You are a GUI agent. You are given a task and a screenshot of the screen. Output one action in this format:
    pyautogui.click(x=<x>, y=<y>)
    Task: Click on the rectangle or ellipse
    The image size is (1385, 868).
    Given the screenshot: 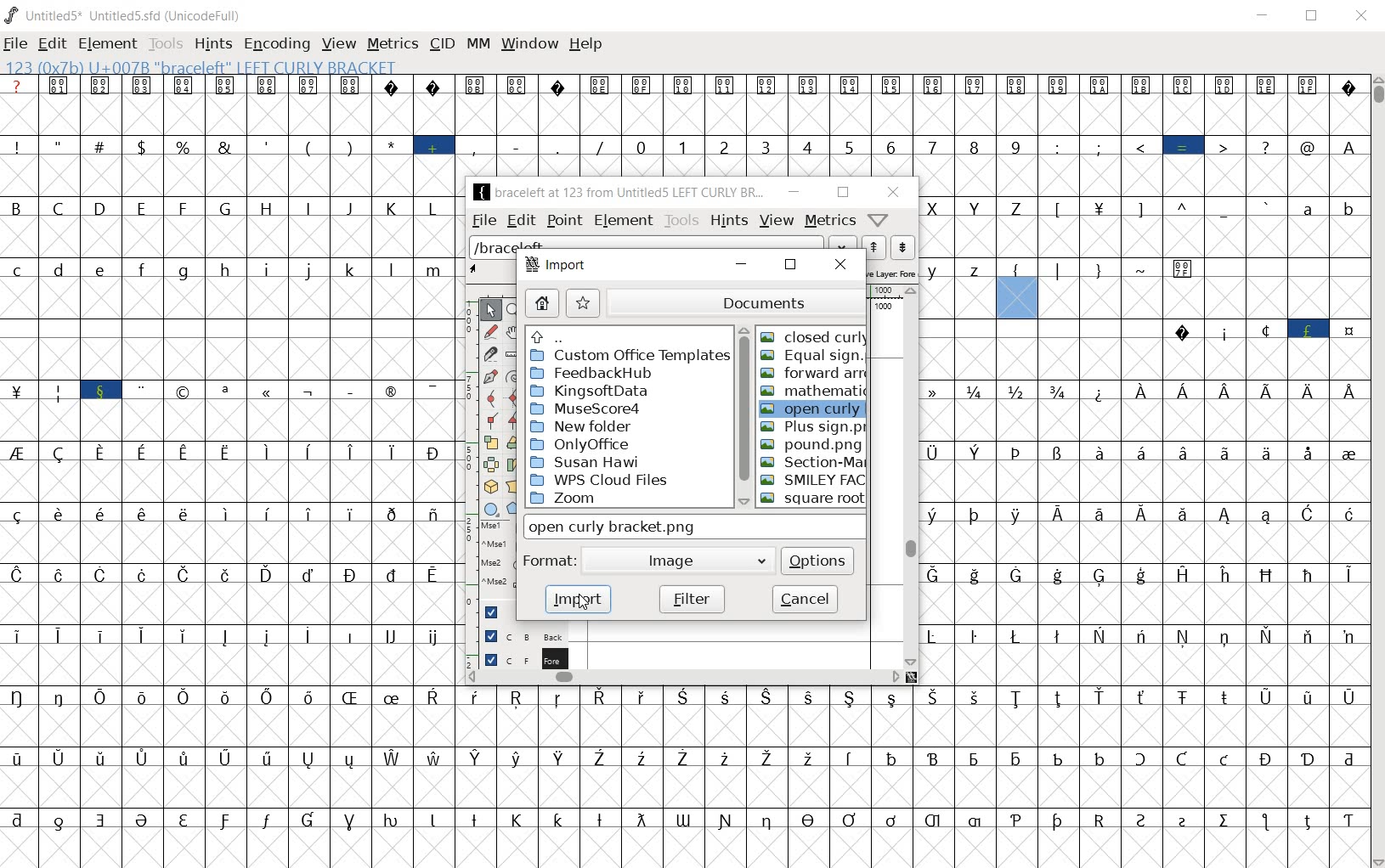 What is the action you would take?
    pyautogui.click(x=489, y=510)
    